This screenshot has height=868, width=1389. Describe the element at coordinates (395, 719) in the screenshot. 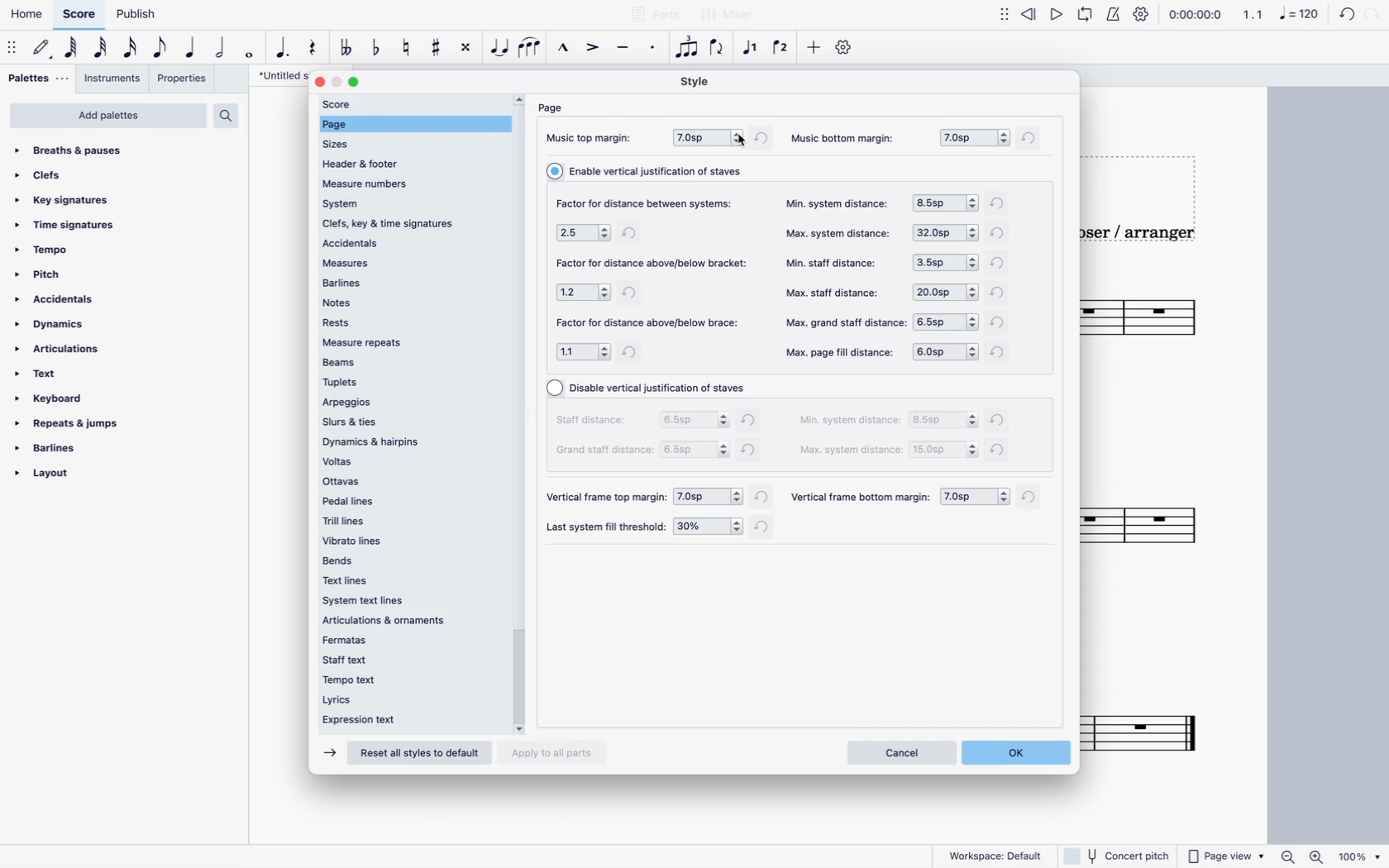

I see `expression text` at that location.